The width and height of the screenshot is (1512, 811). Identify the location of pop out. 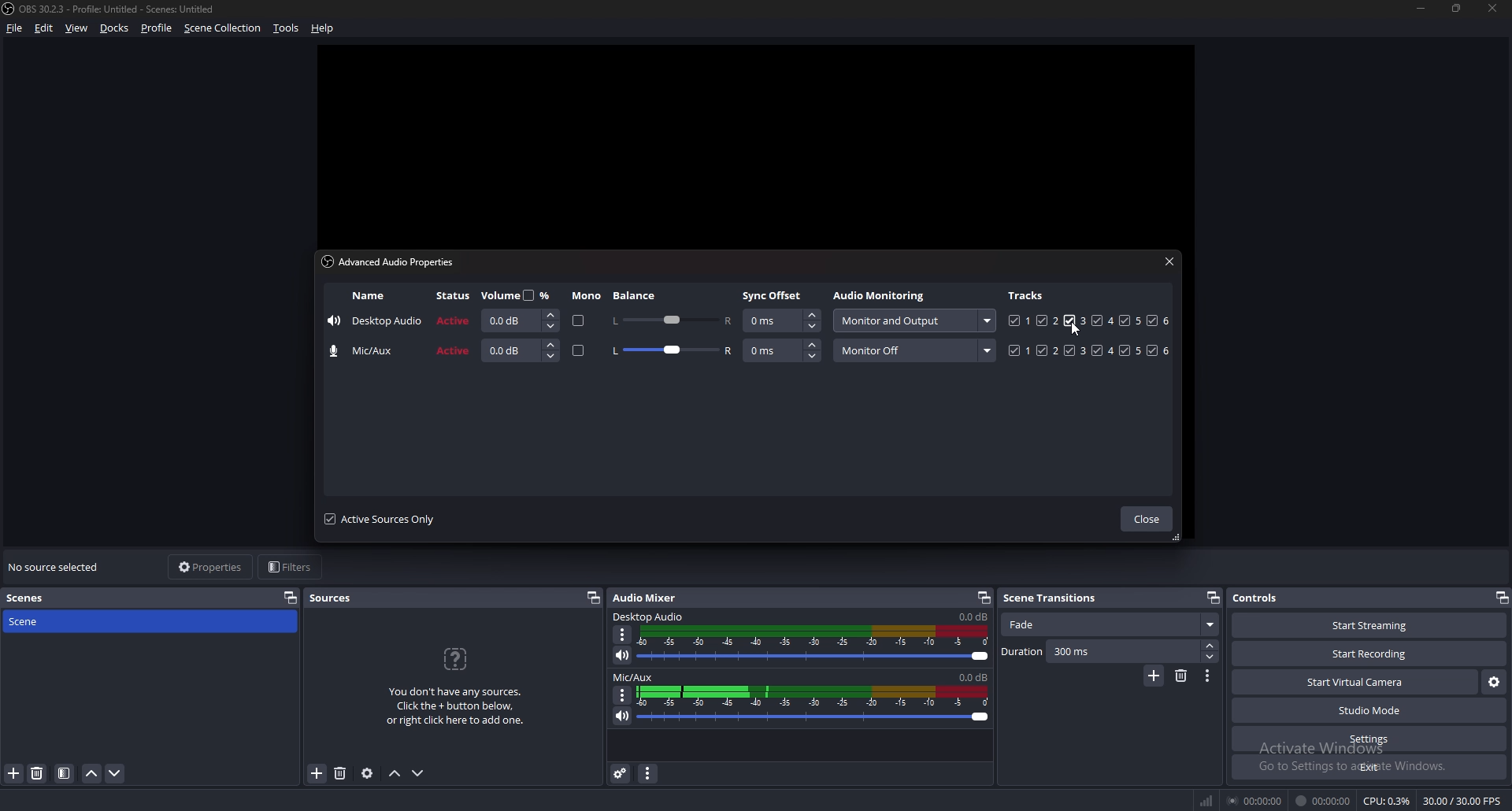
(594, 598).